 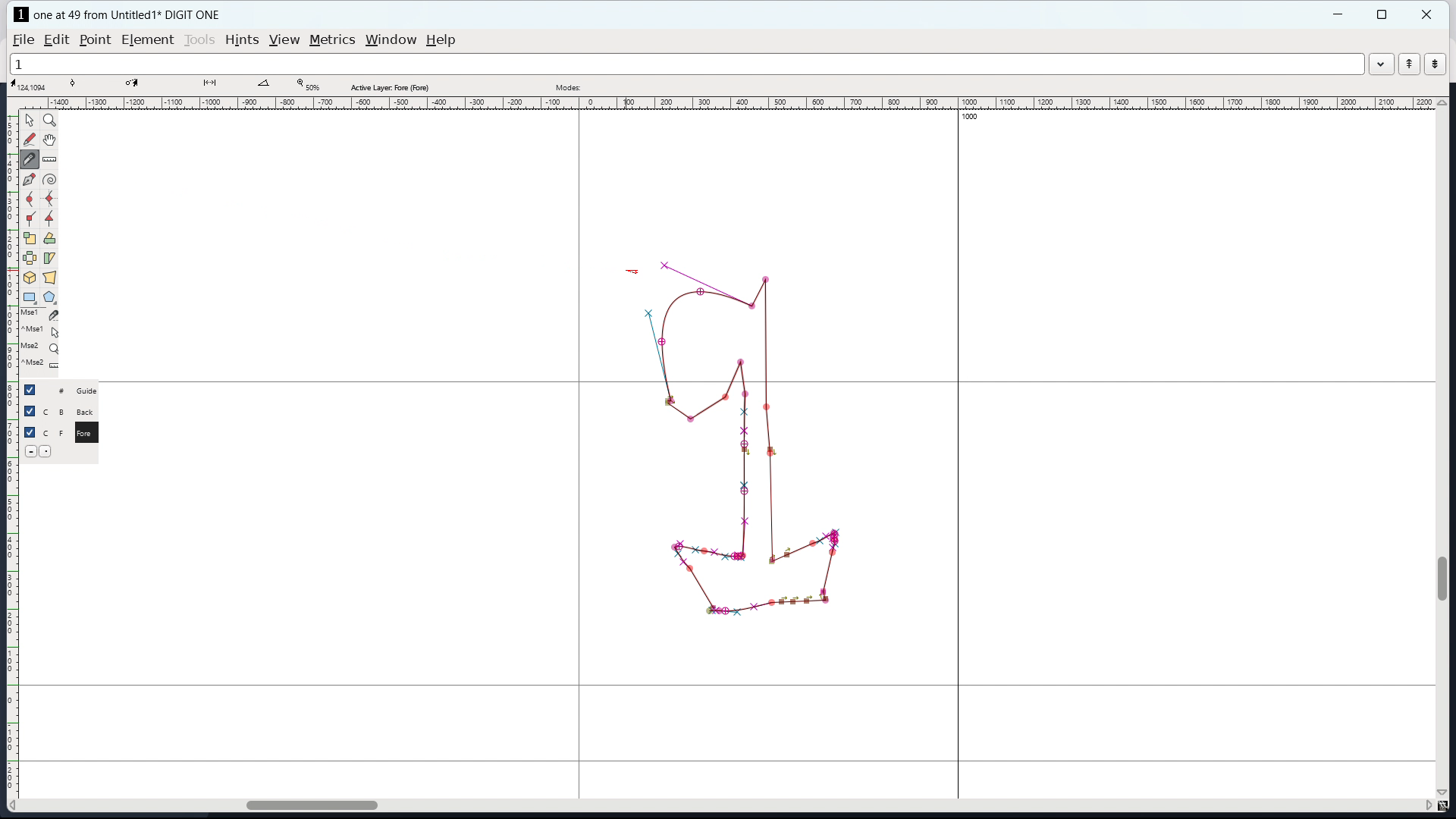 I want to click on #, so click(x=55, y=391).